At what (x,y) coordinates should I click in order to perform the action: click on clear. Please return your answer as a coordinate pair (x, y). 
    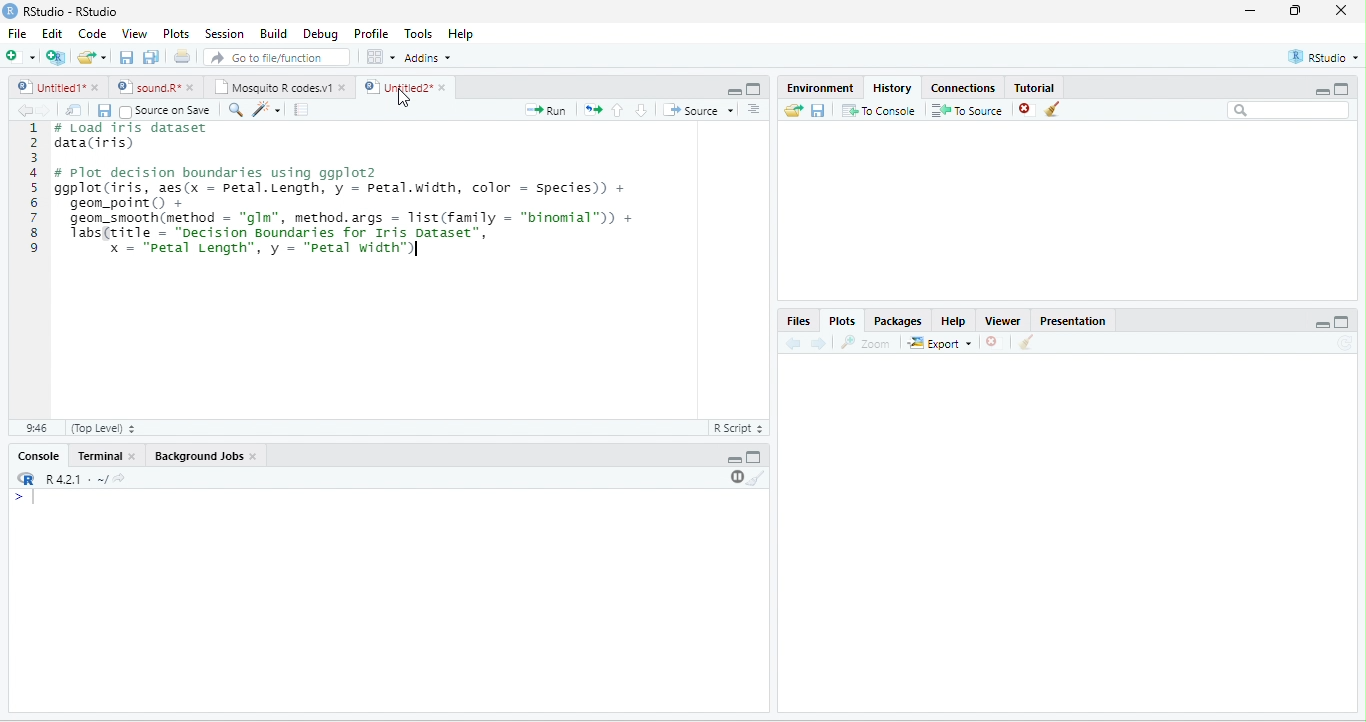
    Looking at the image, I should click on (1052, 109).